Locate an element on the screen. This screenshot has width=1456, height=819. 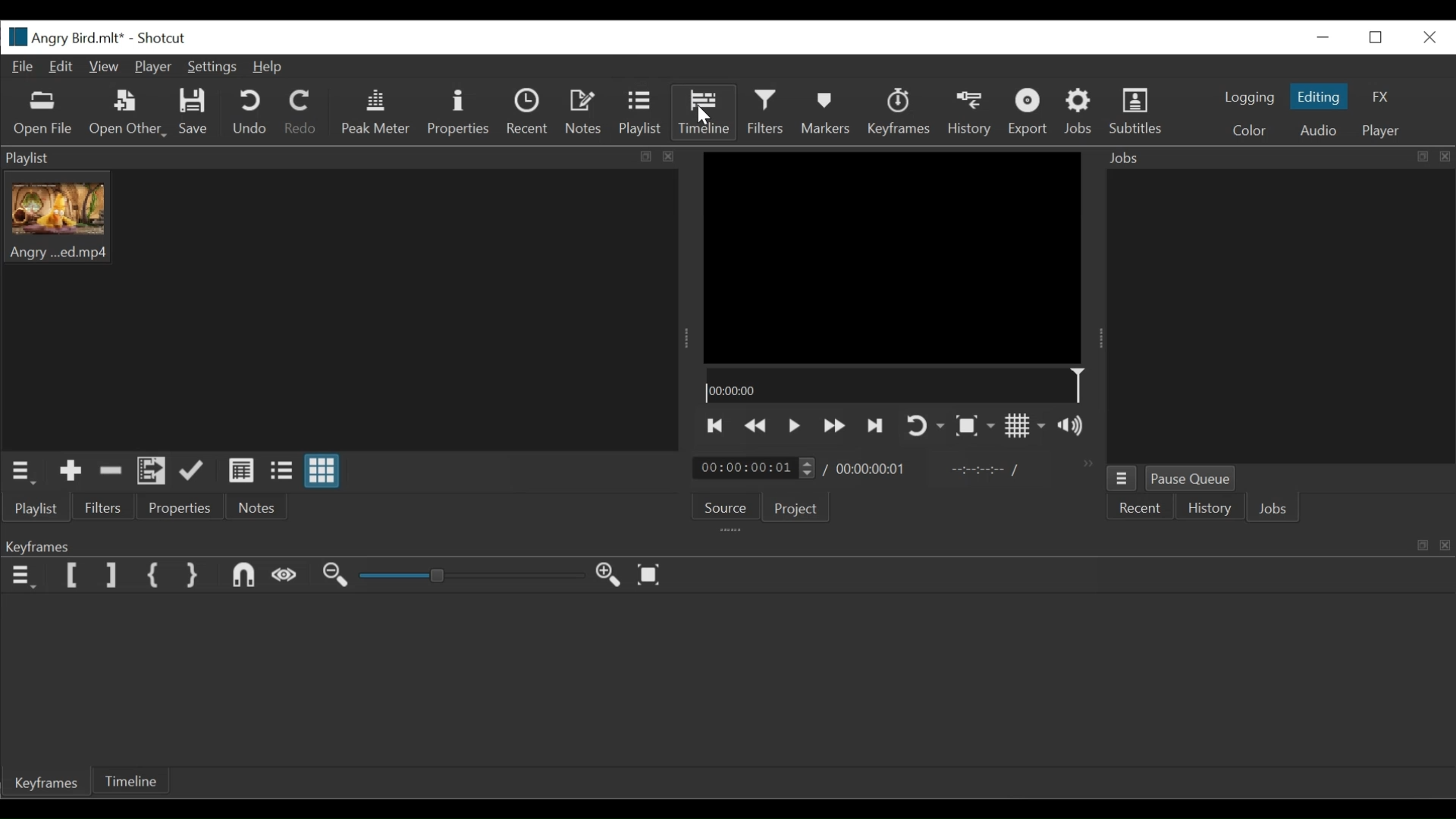
Keyframes is located at coordinates (899, 113).